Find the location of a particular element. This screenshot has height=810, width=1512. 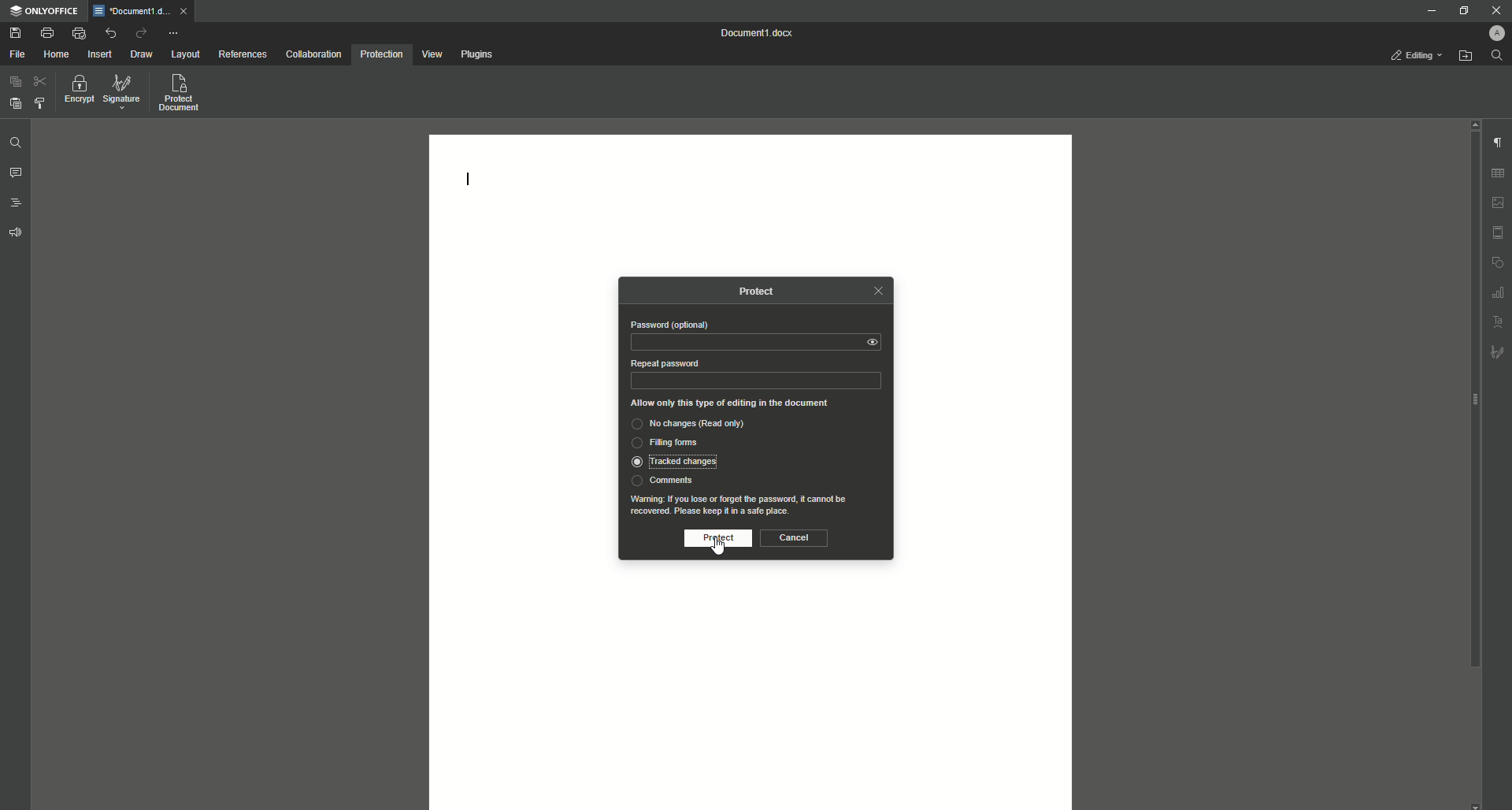

Cursor is located at coordinates (718, 548).